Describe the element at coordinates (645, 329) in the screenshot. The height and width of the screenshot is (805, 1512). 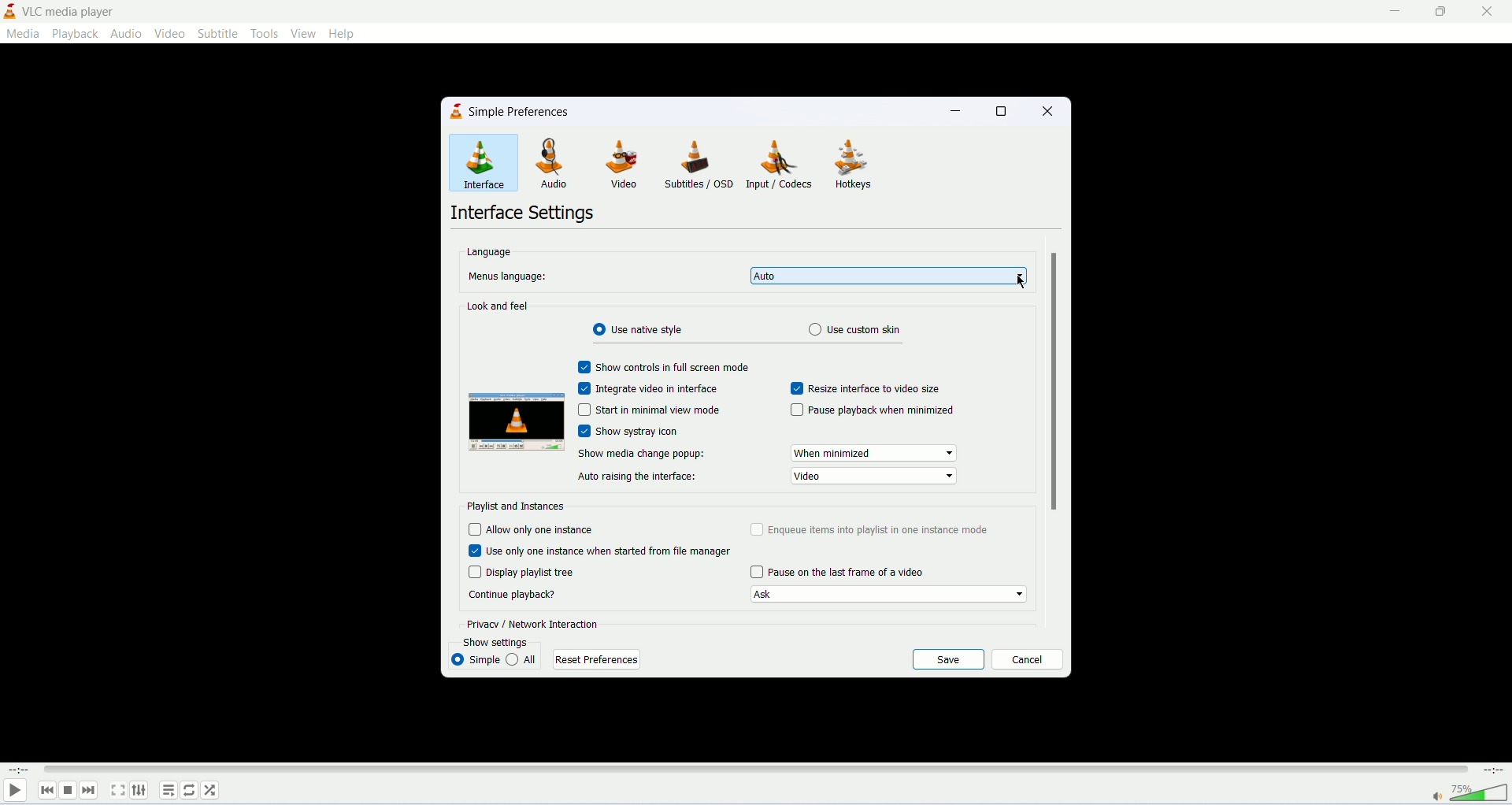
I see `use native style` at that location.